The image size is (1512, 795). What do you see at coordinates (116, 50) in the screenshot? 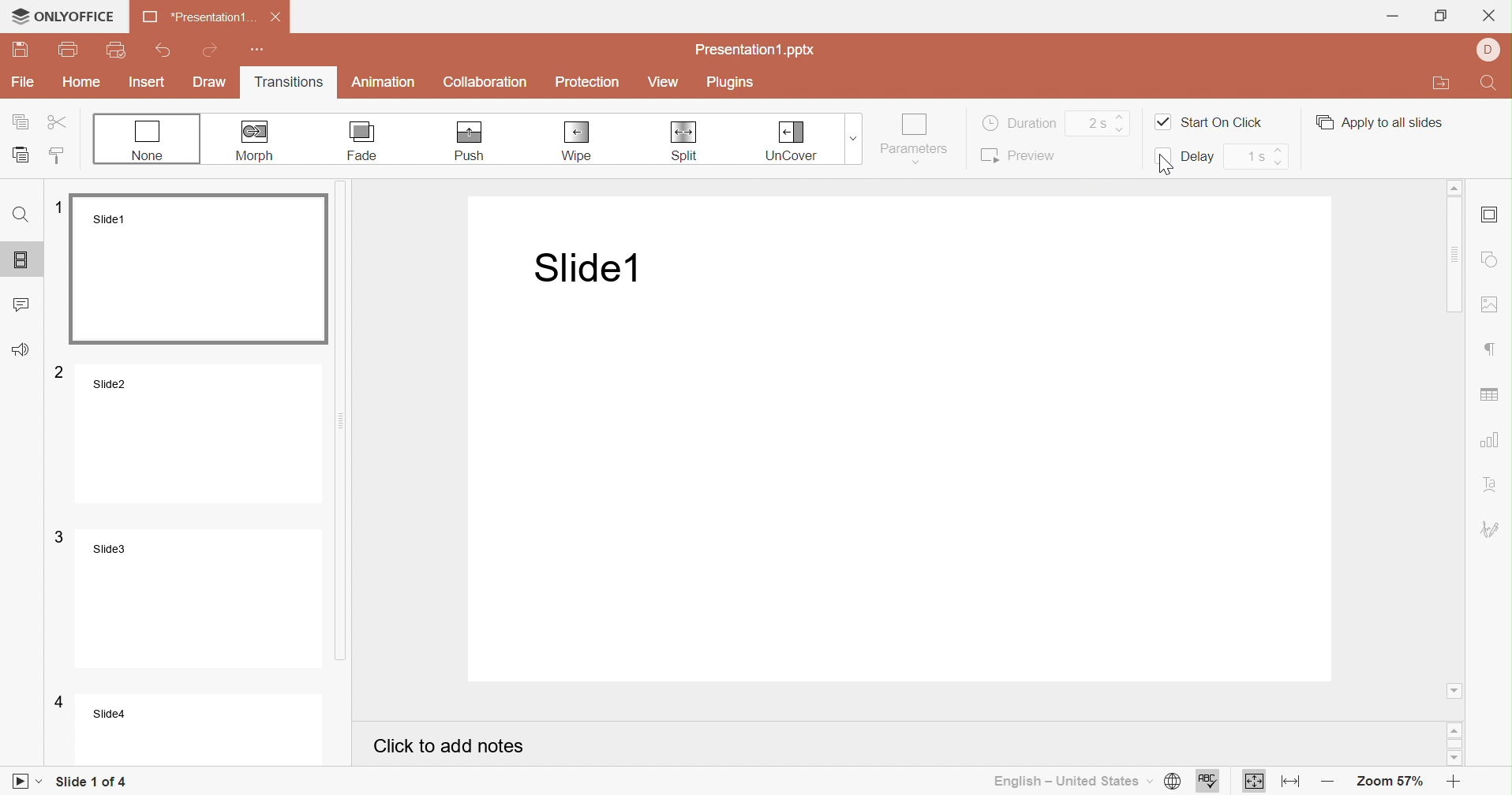
I see `Quick print` at bounding box center [116, 50].